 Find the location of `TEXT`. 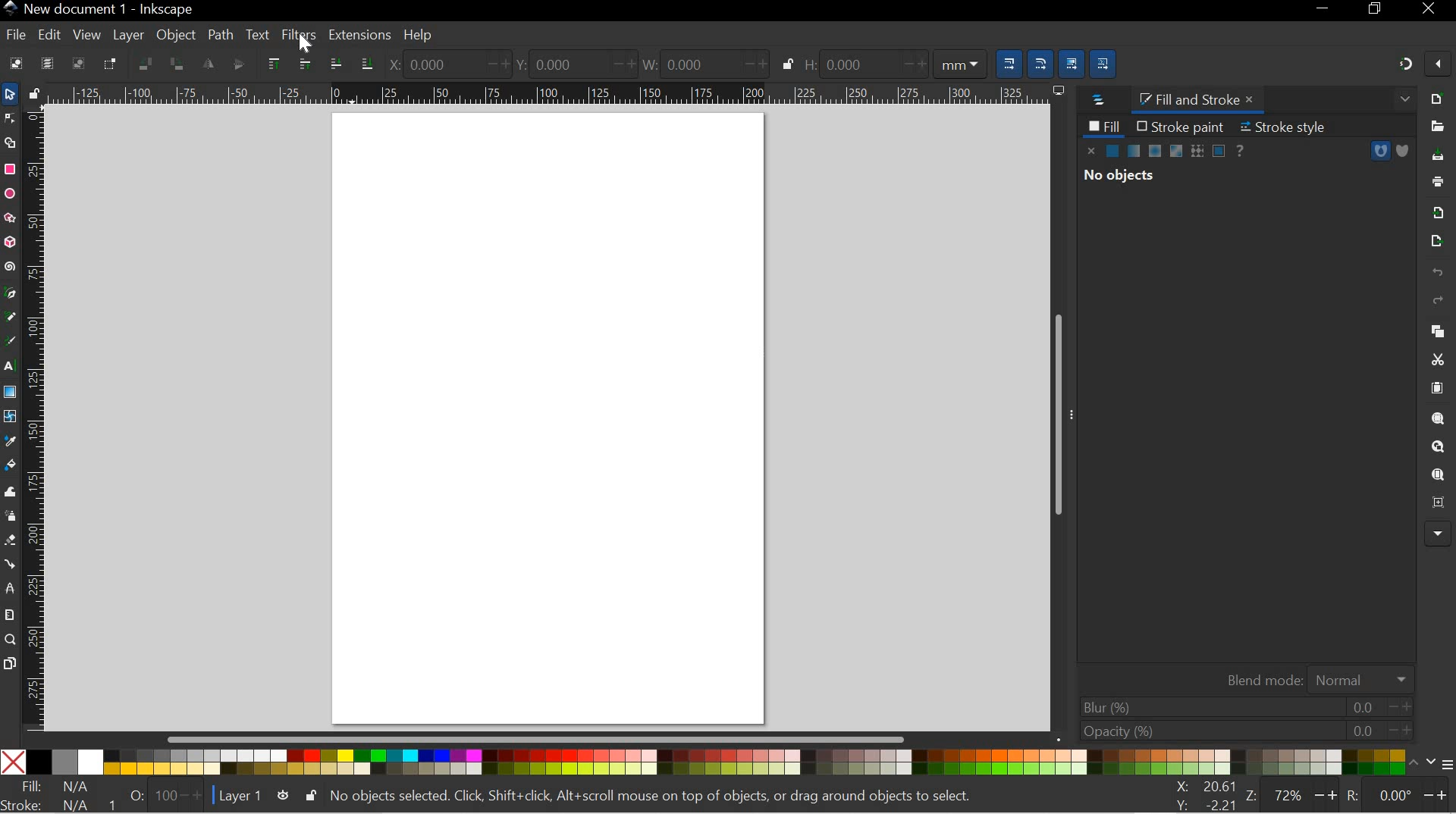

TEXT is located at coordinates (258, 33).